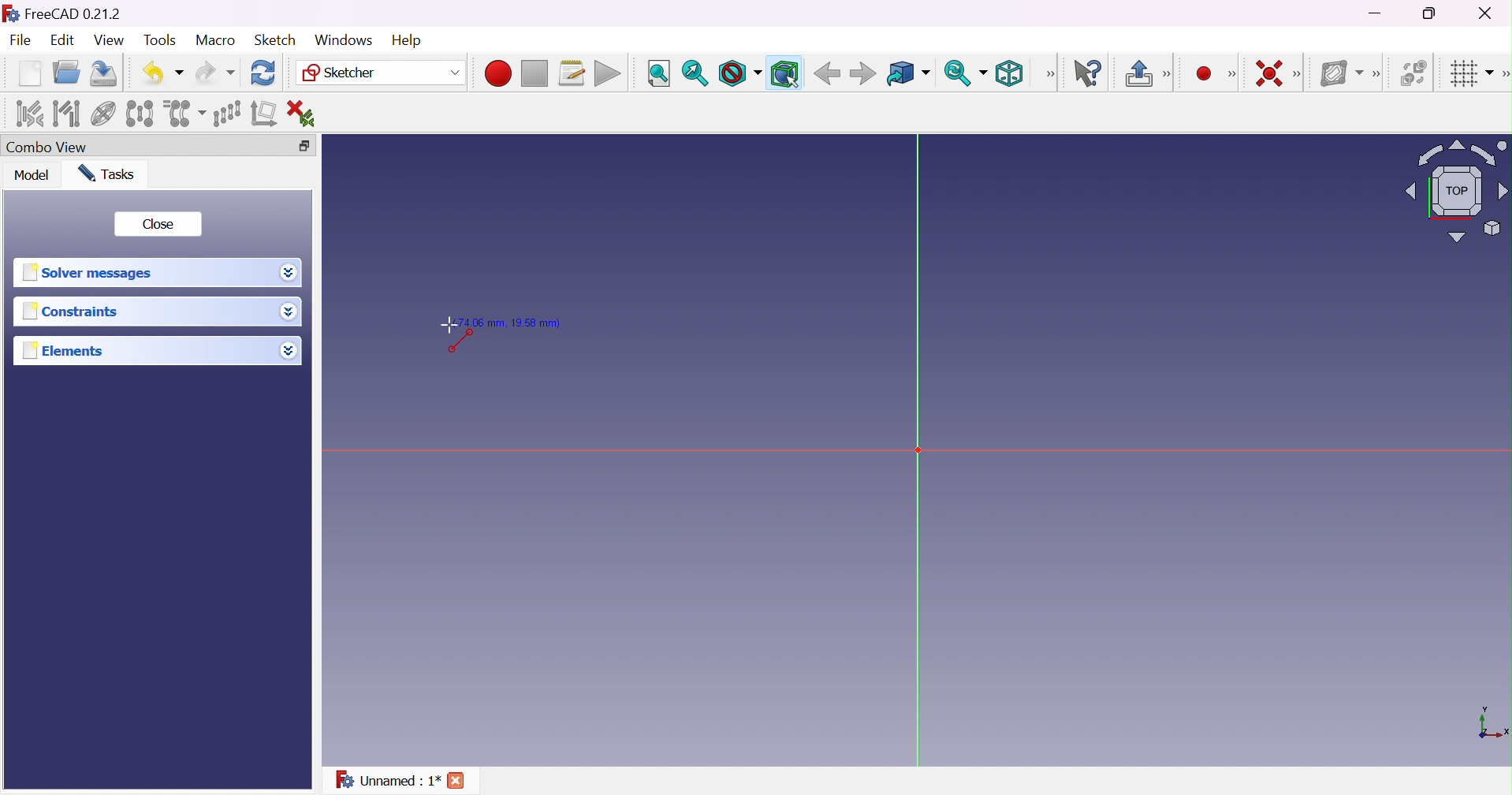 The width and height of the screenshot is (1512, 795). I want to click on Isometric, so click(1013, 73).